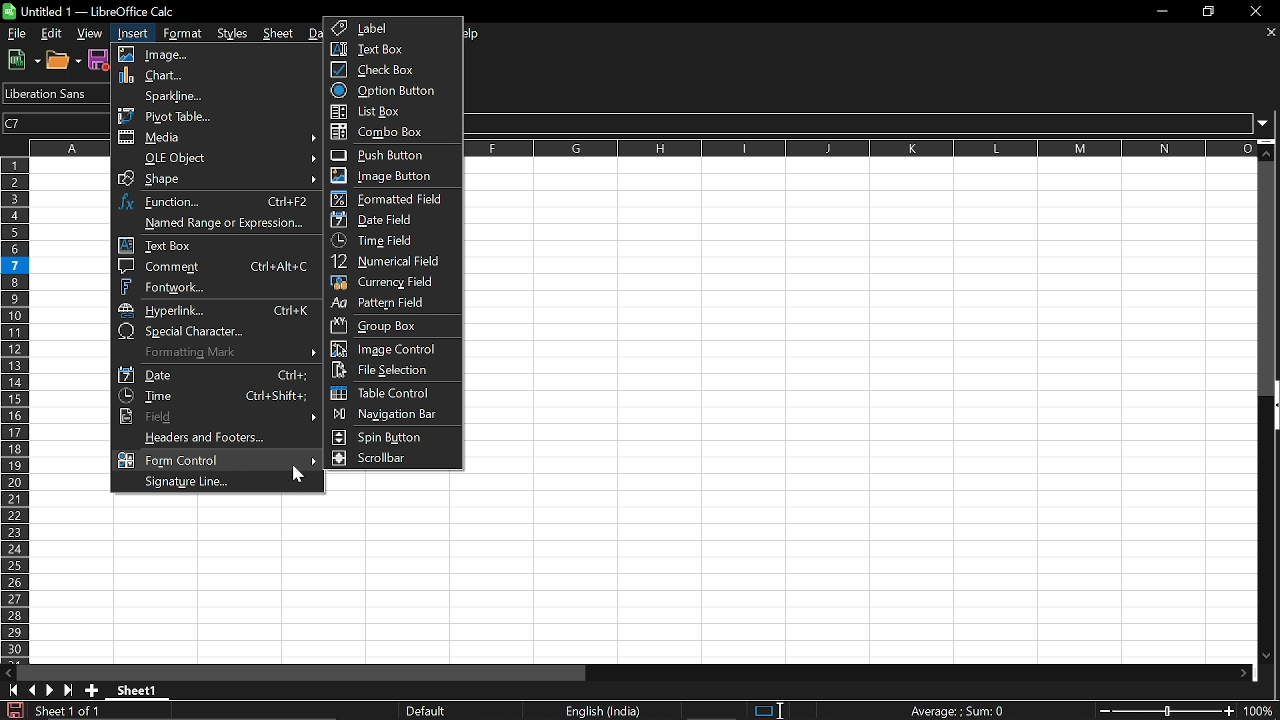 The height and width of the screenshot is (720, 1280). Describe the element at coordinates (218, 179) in the screenshot. I see `Shape` at that location.